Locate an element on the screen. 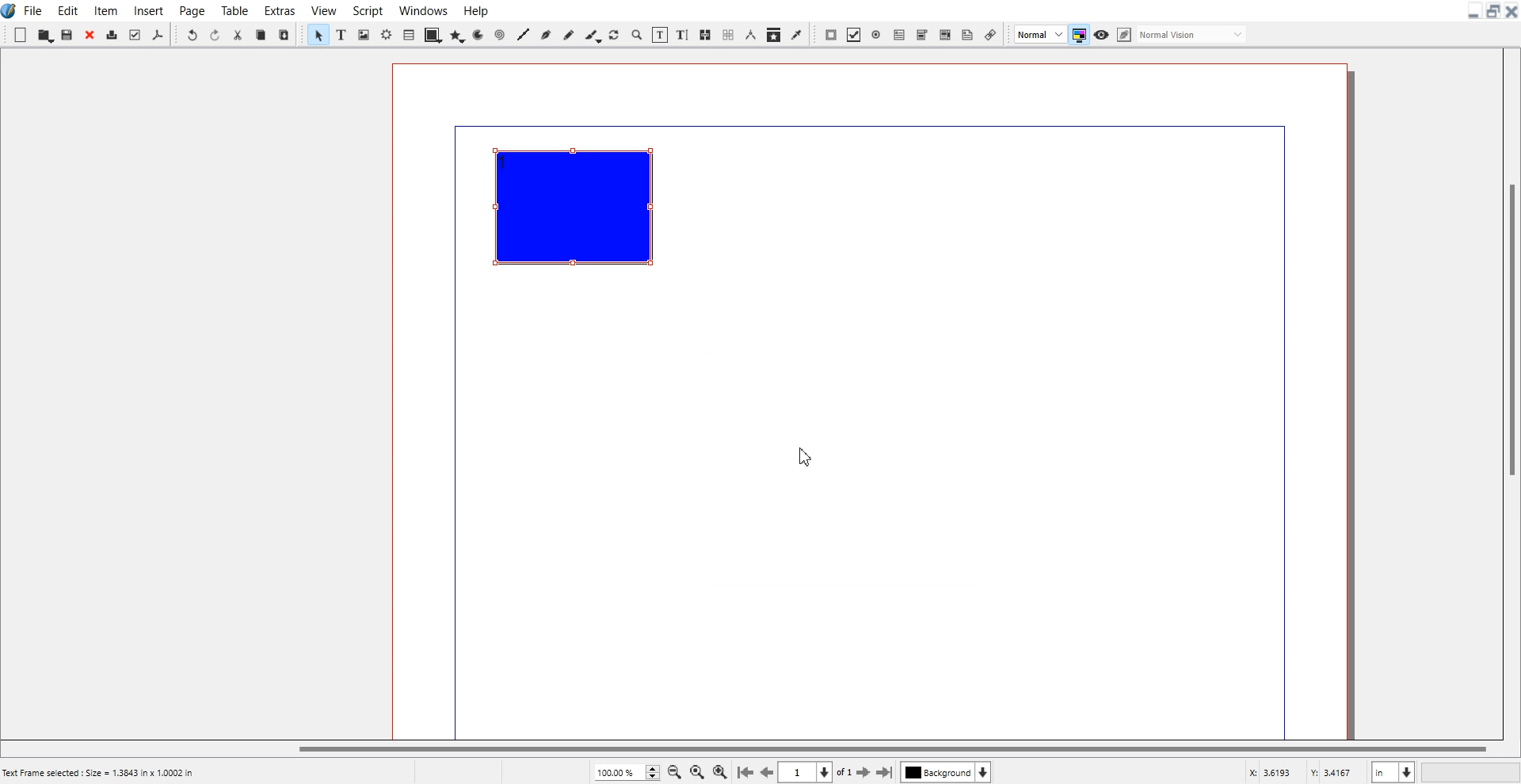 The width and height of the screenshot is (1521, 784). Bezier Curve is located at coordinates (546, 33).